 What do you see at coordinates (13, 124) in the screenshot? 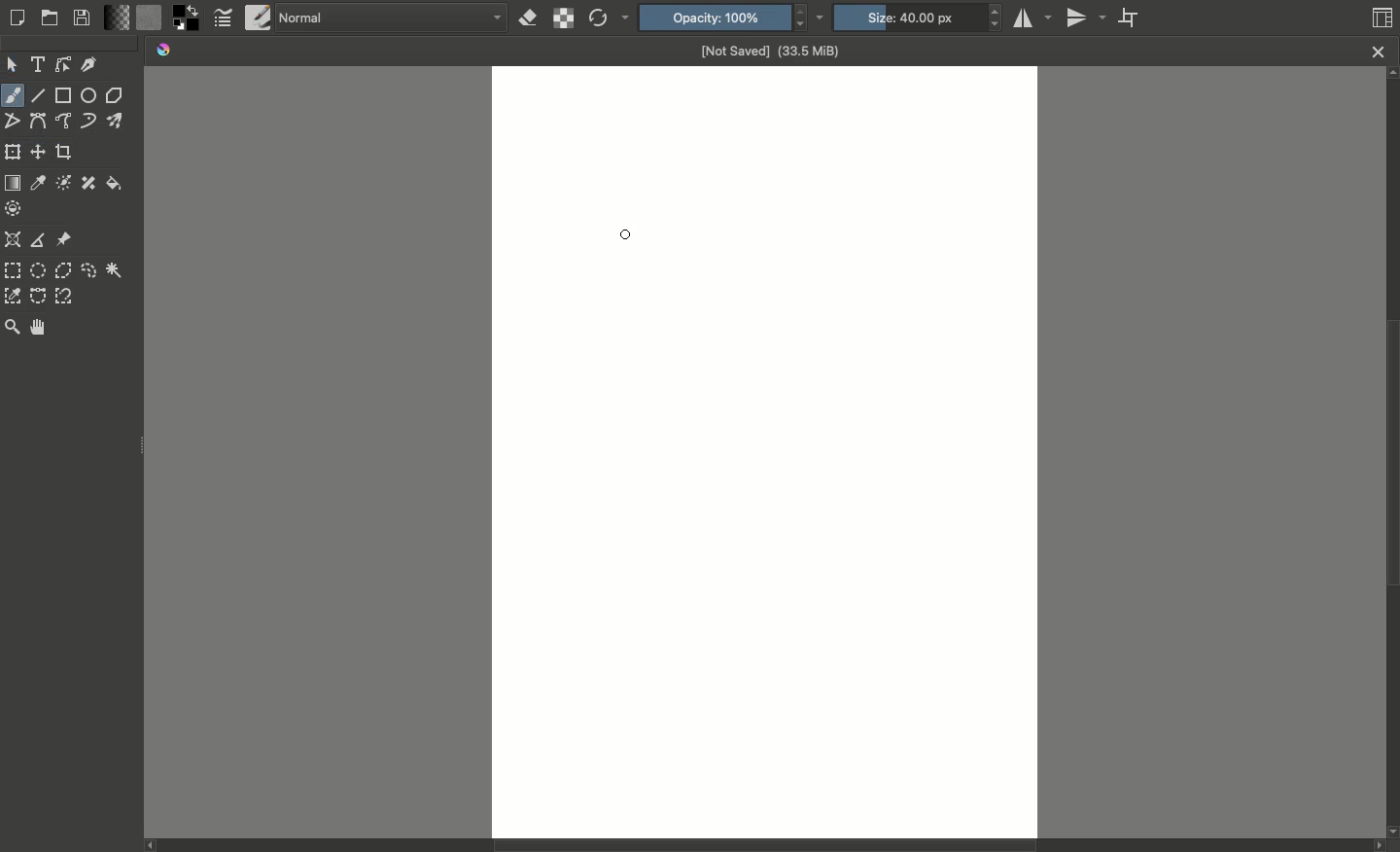
I see `Polyline` at bounding box center [13, 124].